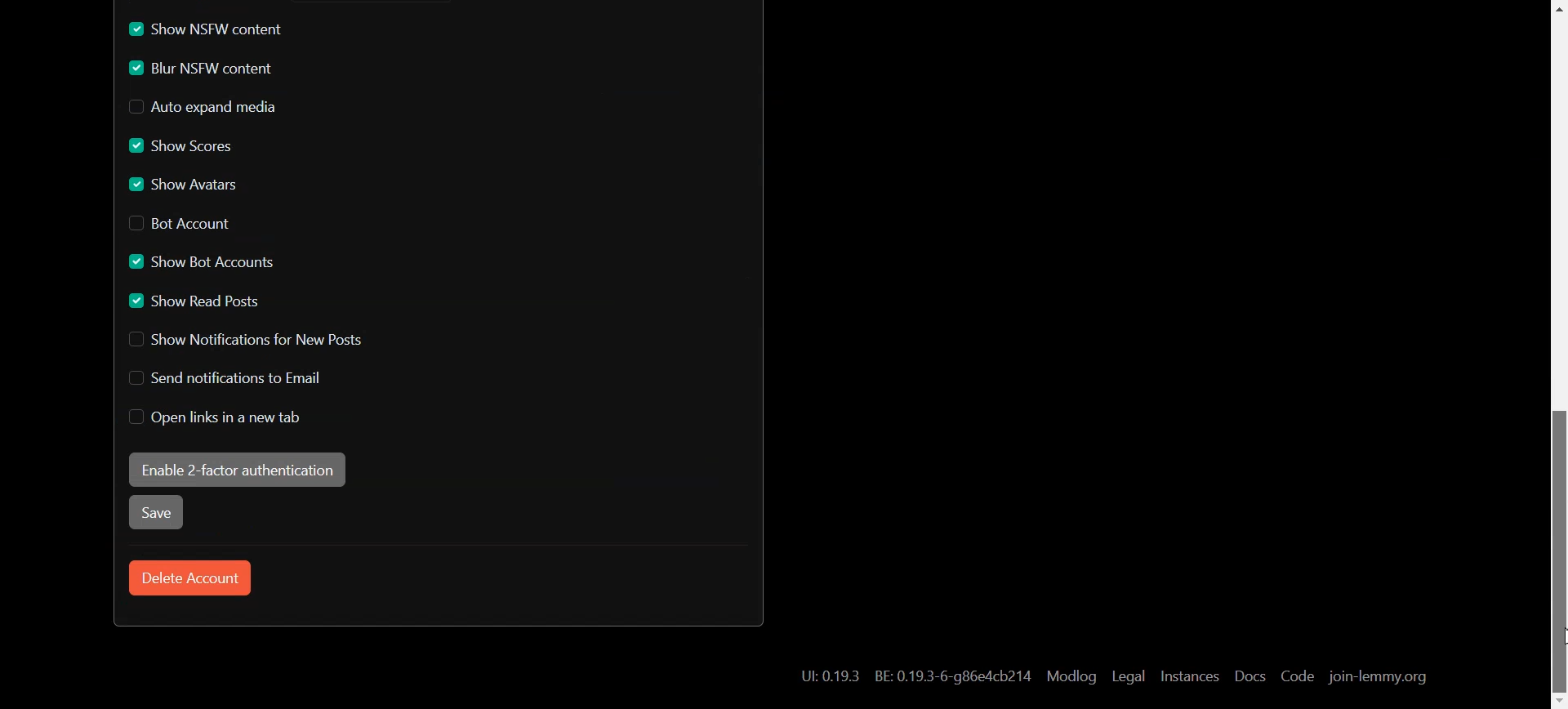 This screenshot has height=709, width=1568. What do you see at coordinates (190, 577) in the screenshot?
I see `Delete Account` at bounding box center [190, 577].